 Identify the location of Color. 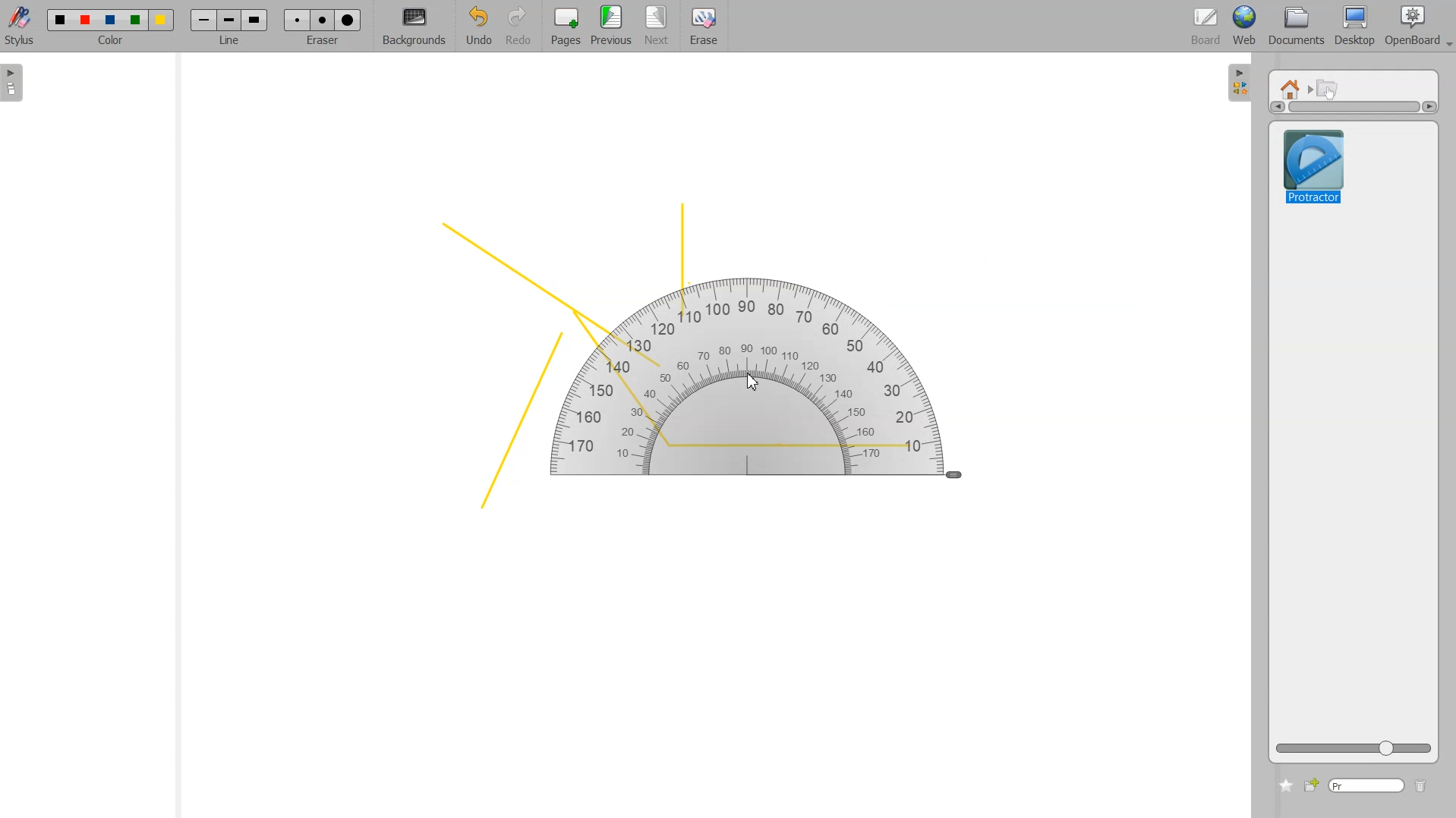
(111, 20).